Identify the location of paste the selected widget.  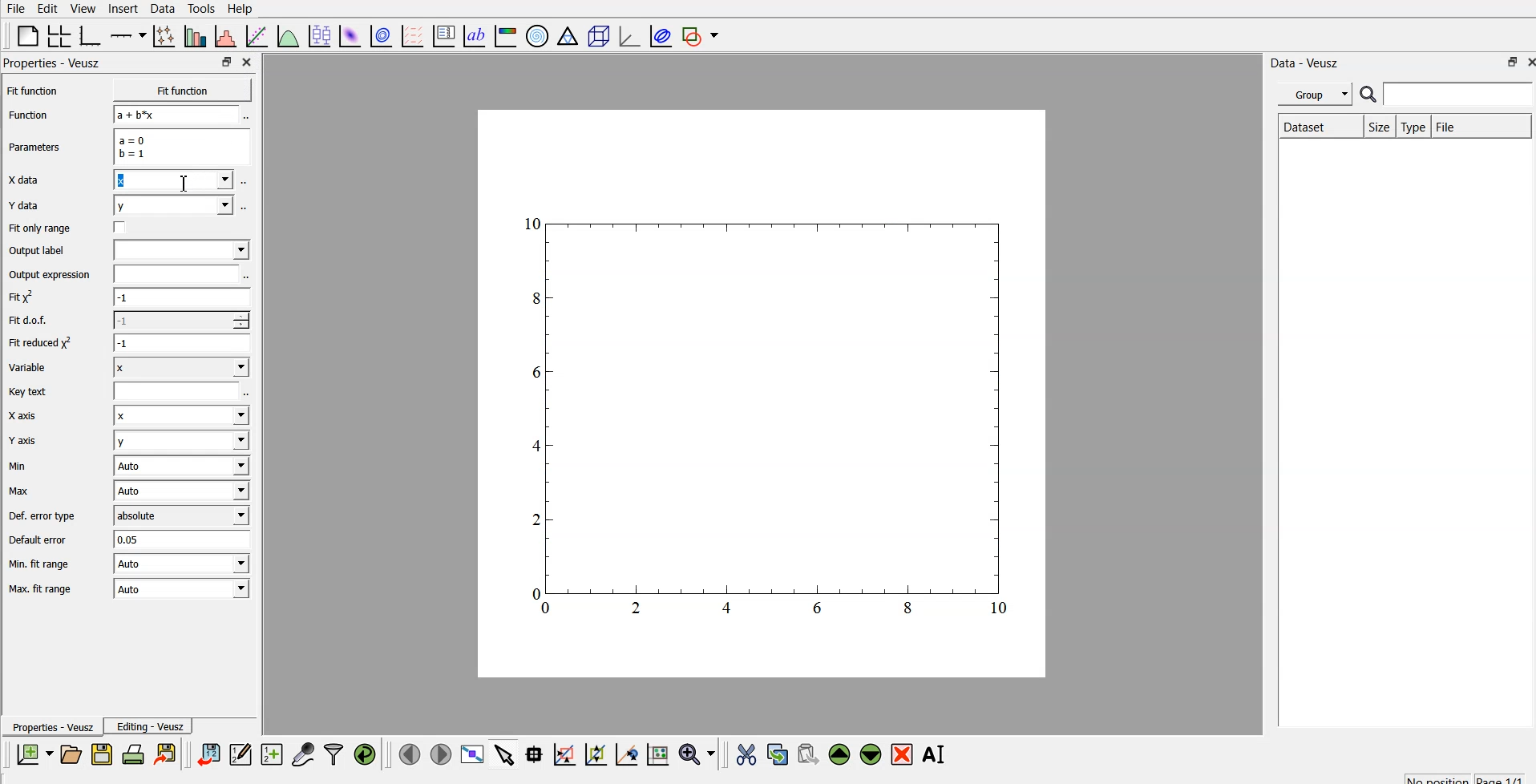
(807, 754).